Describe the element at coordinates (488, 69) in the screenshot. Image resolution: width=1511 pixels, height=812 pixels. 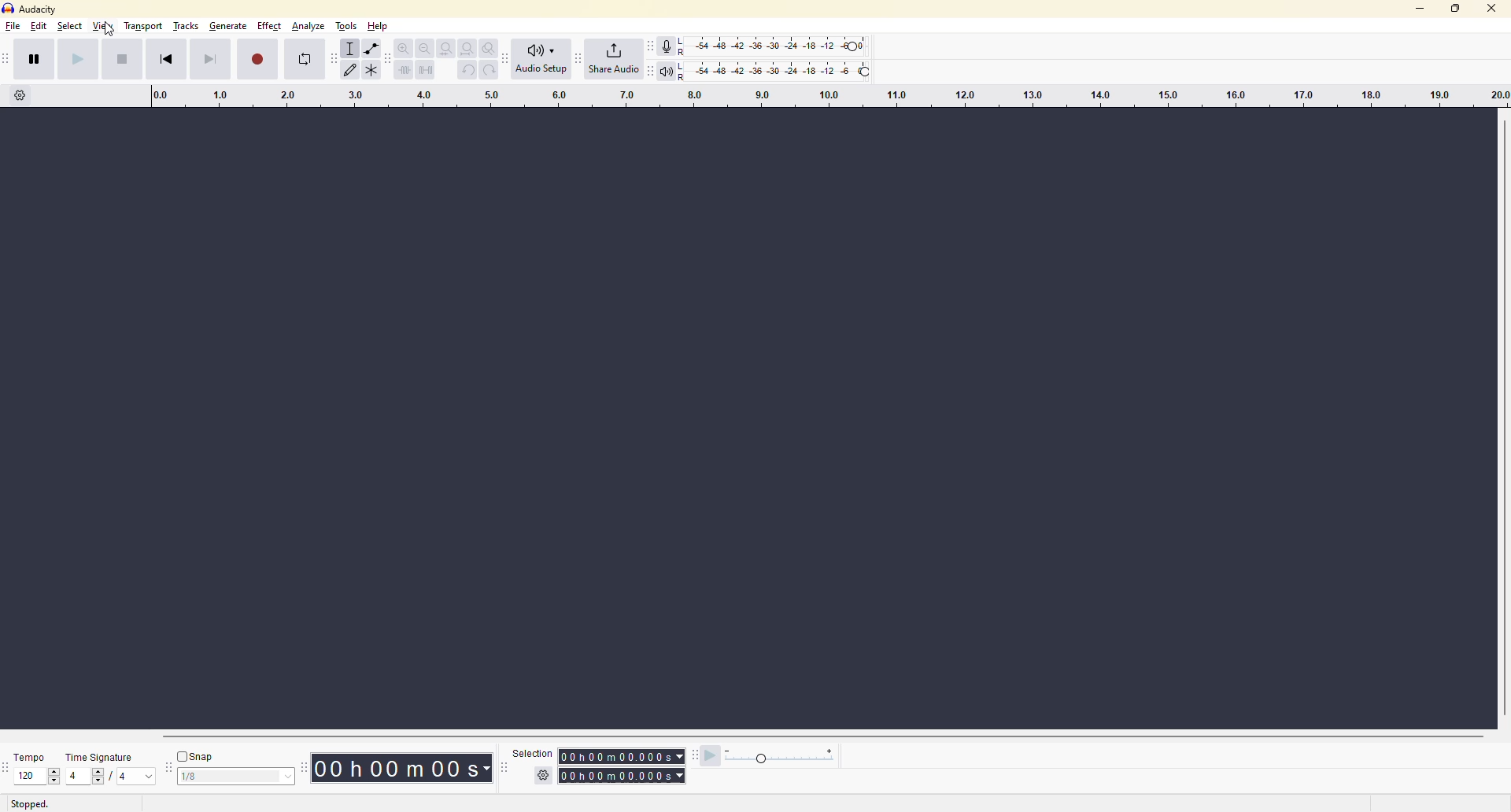
I see `redo` at that location.